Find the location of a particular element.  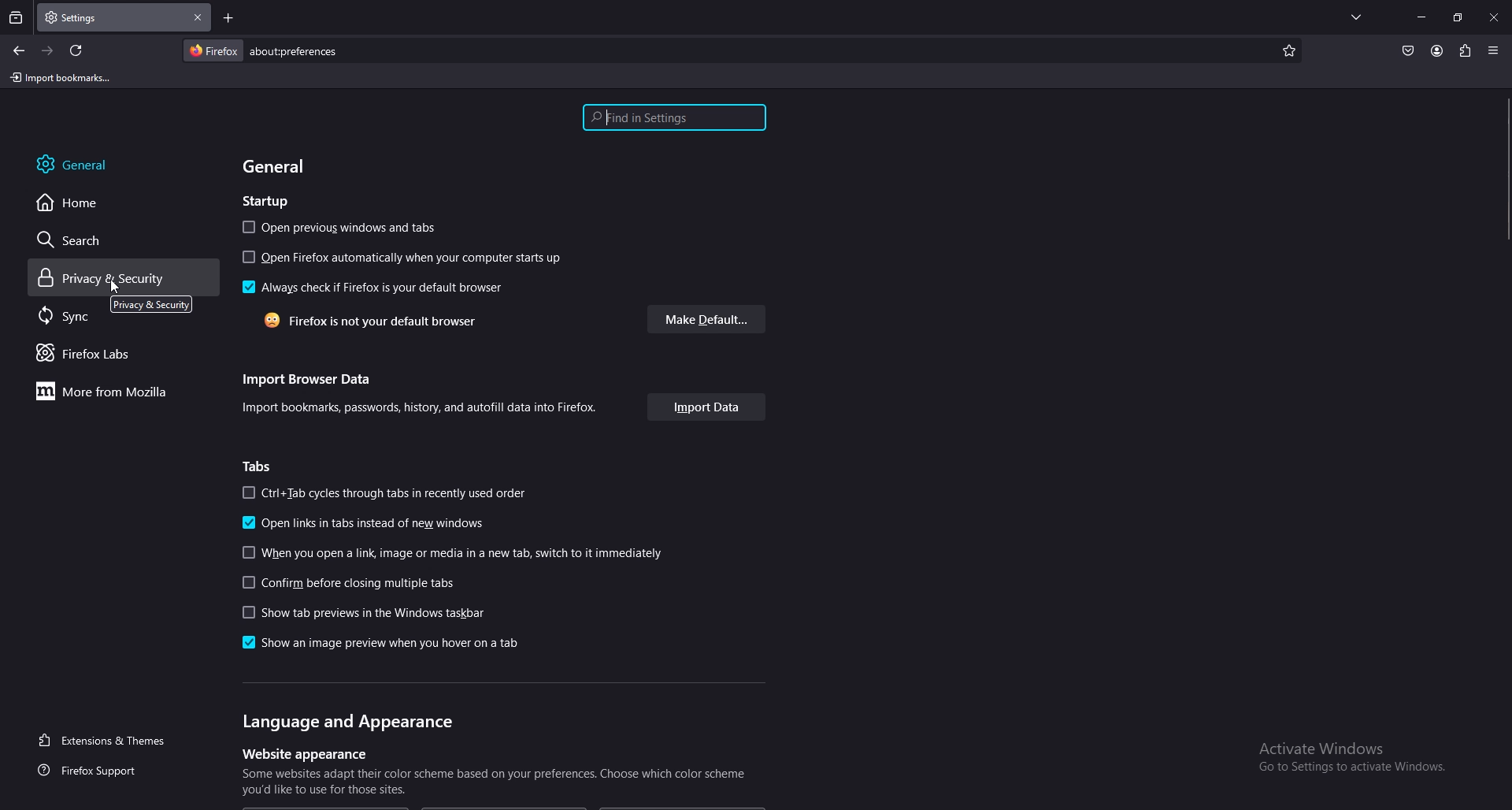

tooltip is located at coordinates (153, 305).